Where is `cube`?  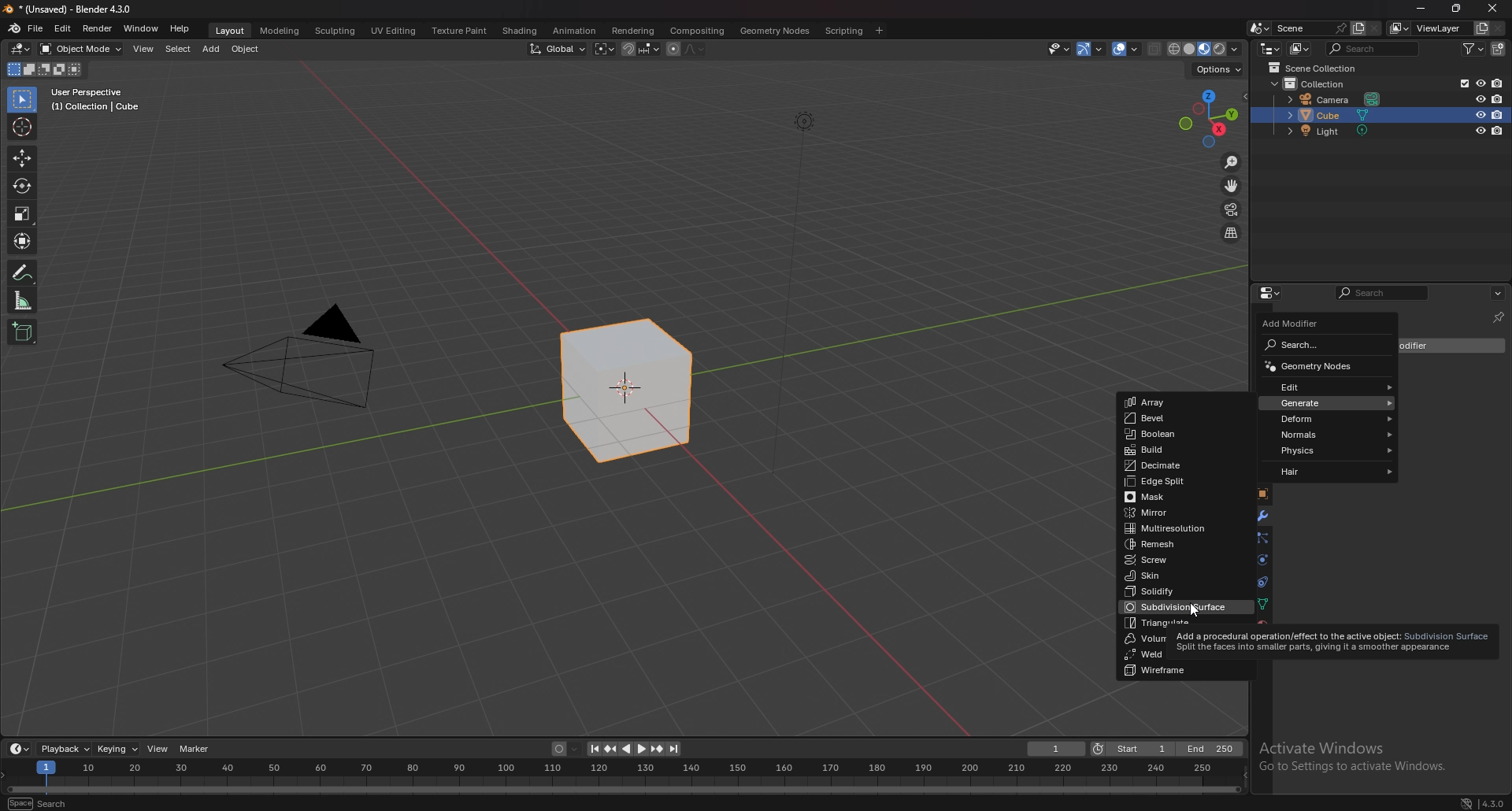 cube is located at coordinates (1345, 115).